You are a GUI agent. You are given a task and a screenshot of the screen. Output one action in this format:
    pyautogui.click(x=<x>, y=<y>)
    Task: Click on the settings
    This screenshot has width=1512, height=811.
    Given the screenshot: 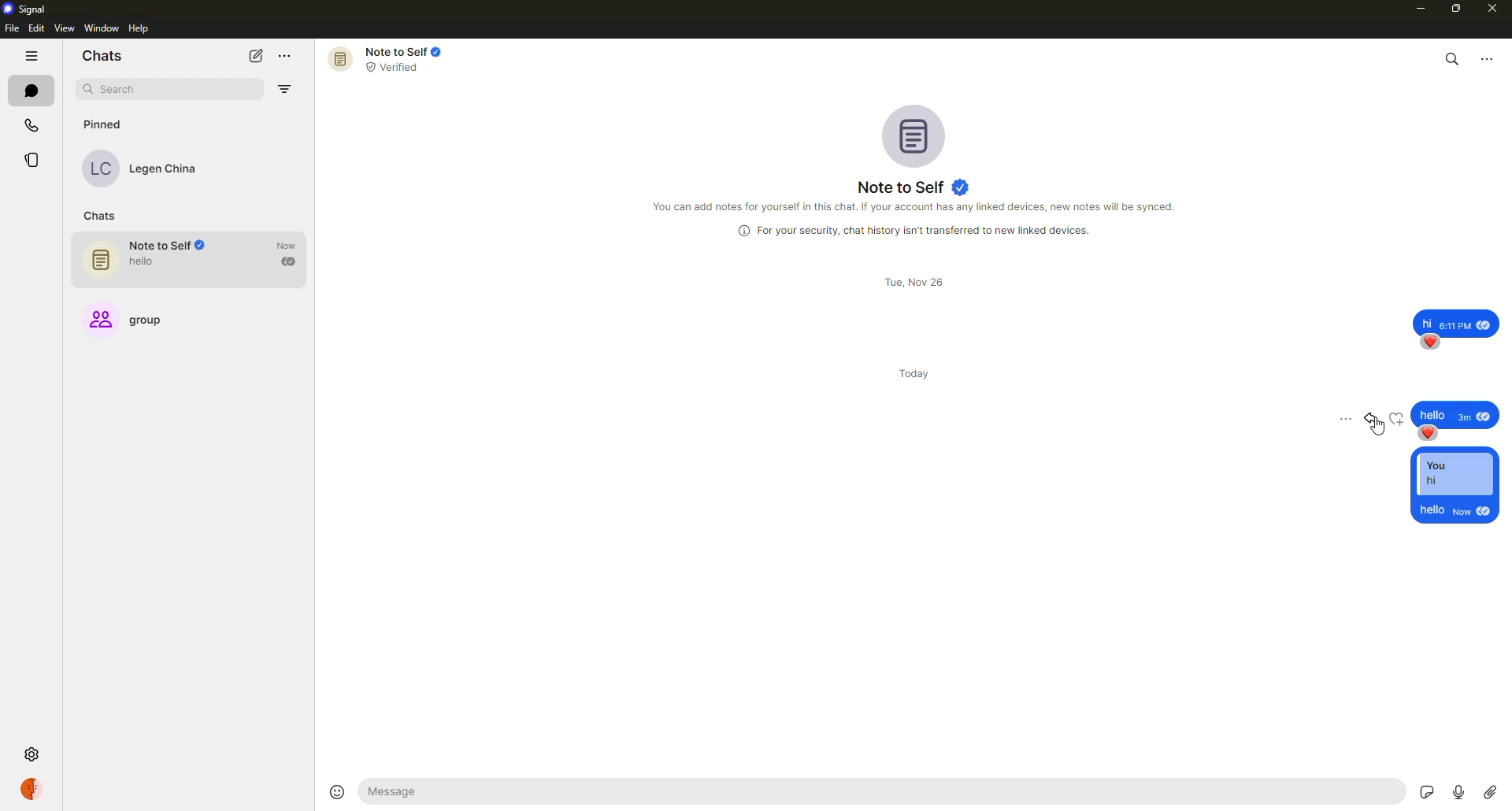 What is the action you would take?
    pyautogui.click(x=33, y=752)
    